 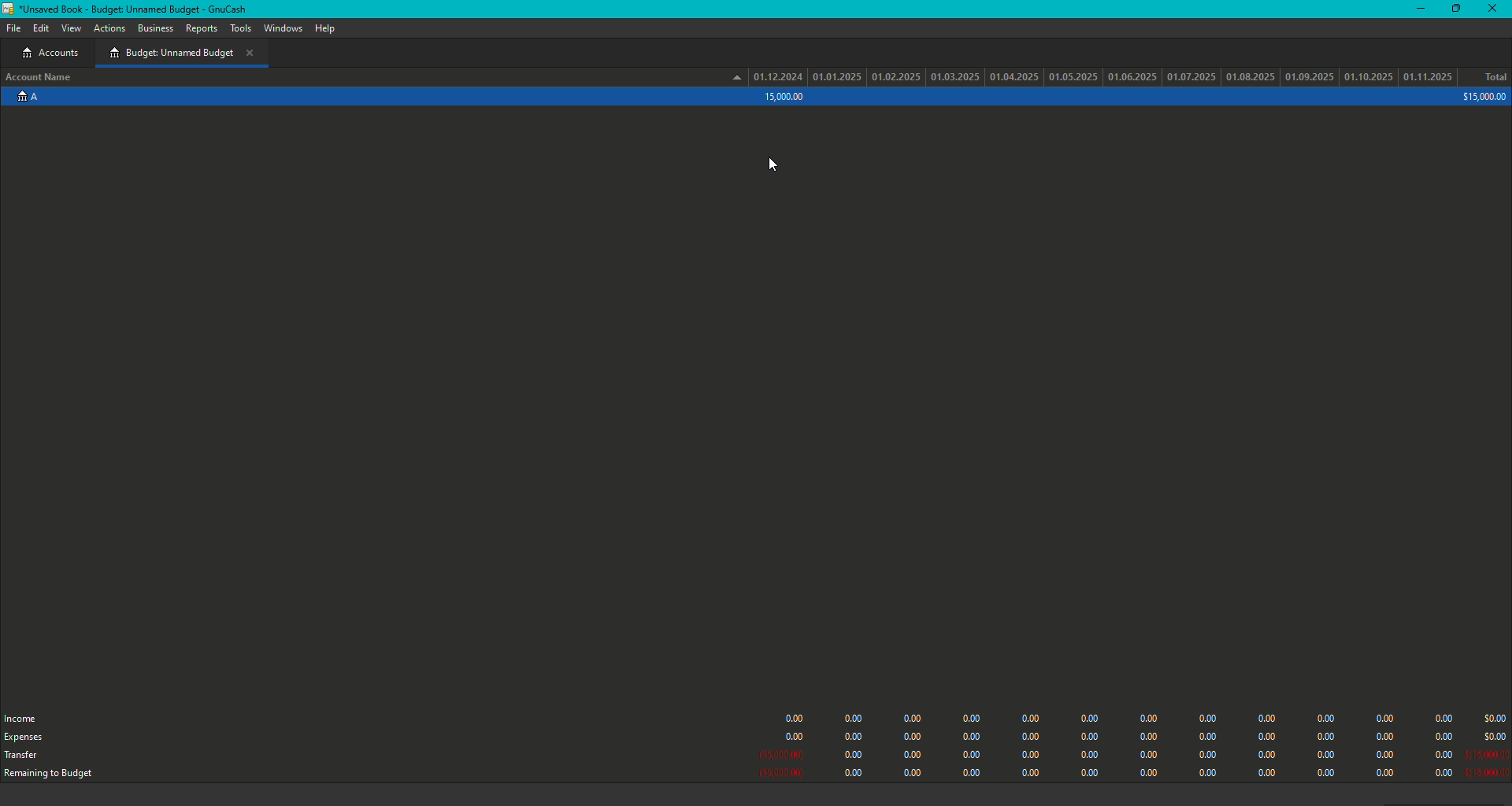 I want to click on Accounts, so click(x=54, y=54).